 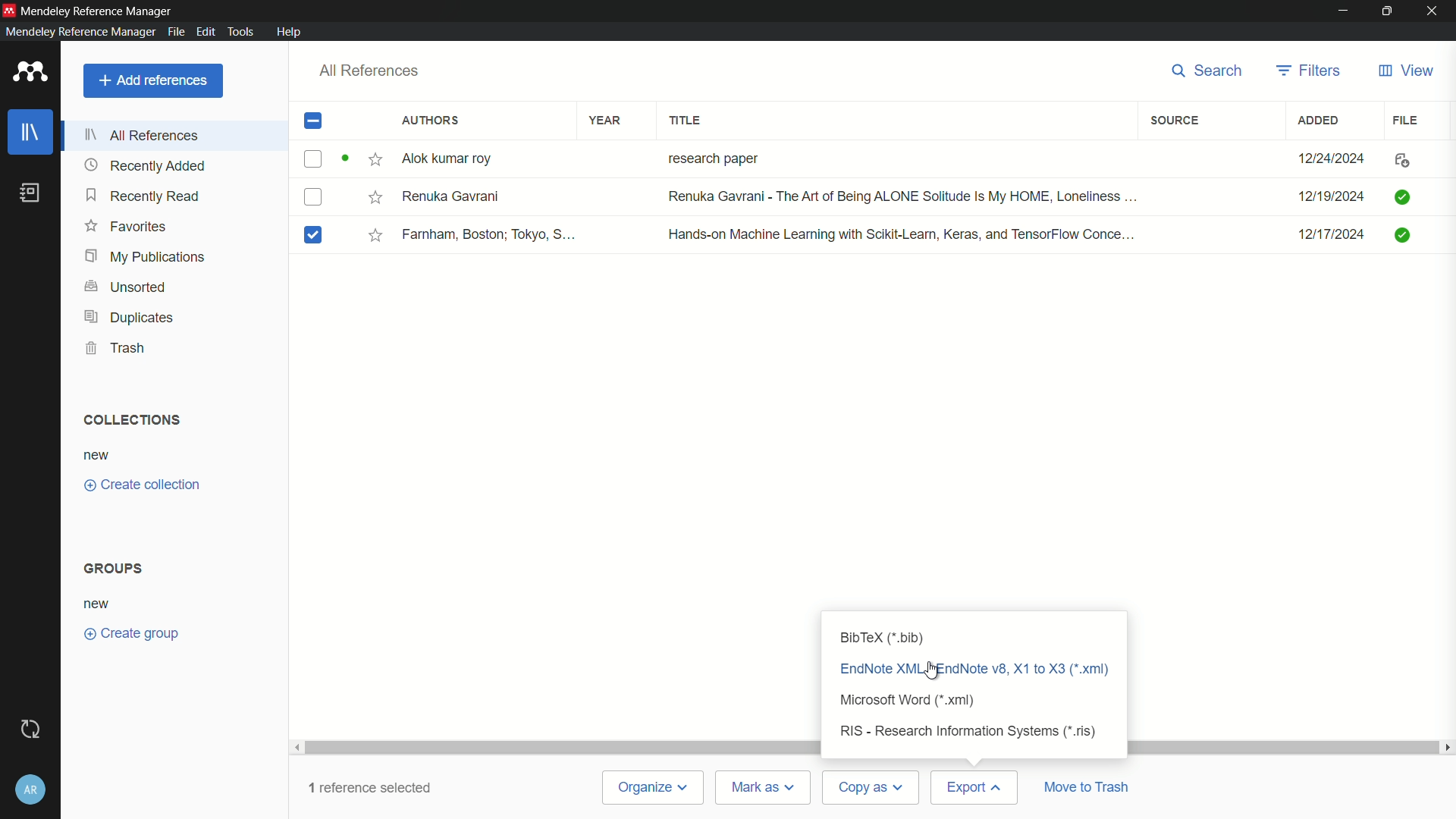 What do you see at coordinates (654, 789) in the screenshot?
I see `organize` at bounding box center [654, 789].